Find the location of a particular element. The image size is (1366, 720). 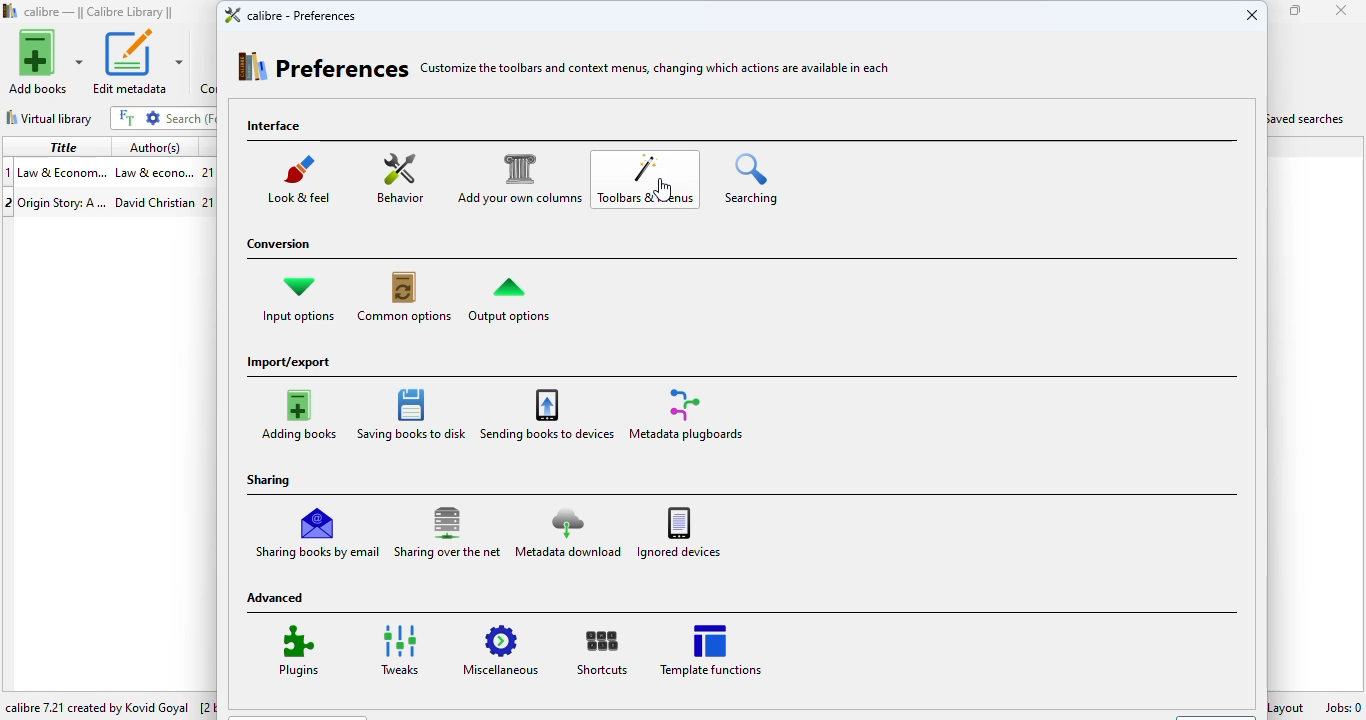

add books is located at coordinates (46, 61).